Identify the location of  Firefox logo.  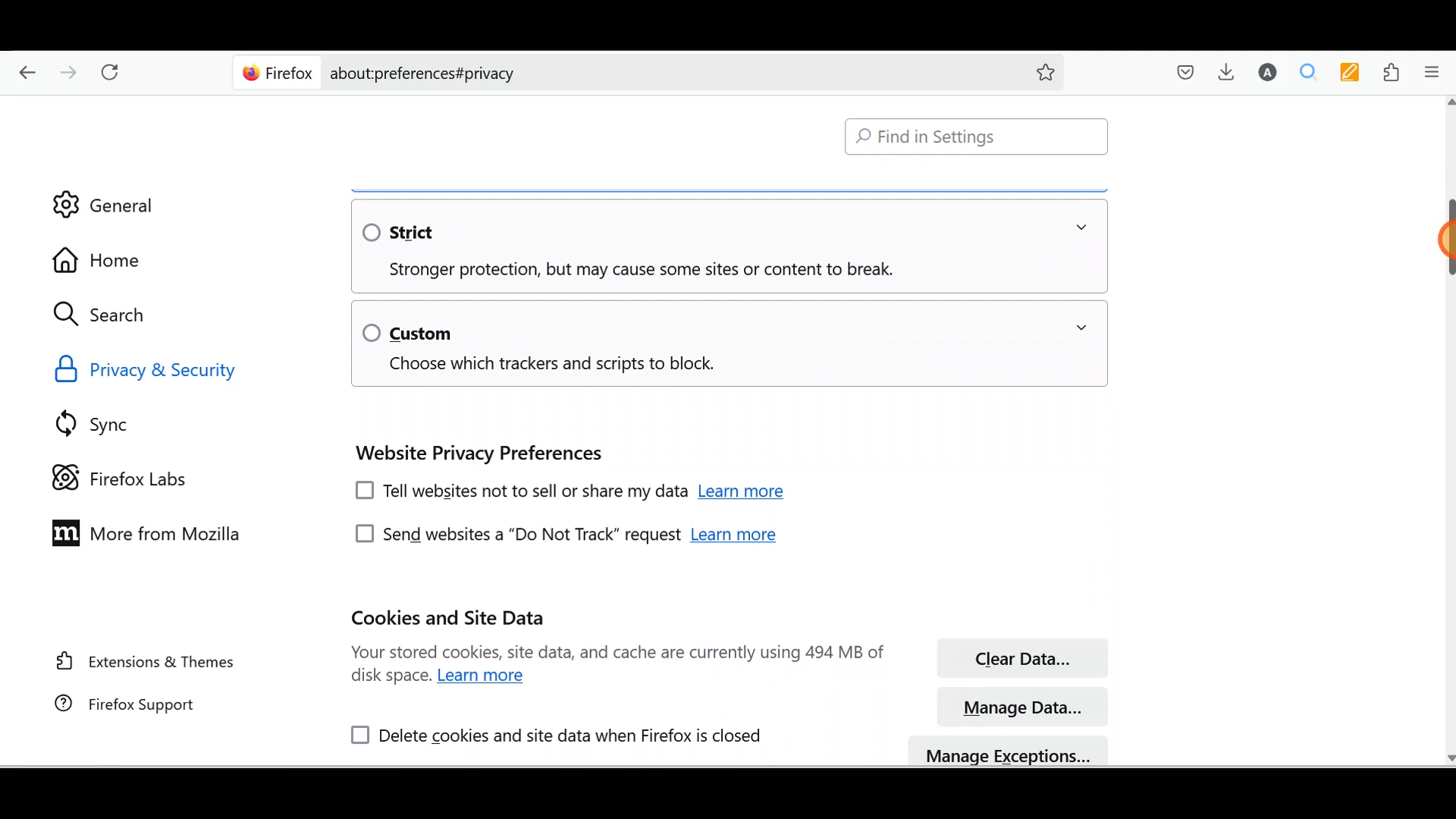
(275, 73).